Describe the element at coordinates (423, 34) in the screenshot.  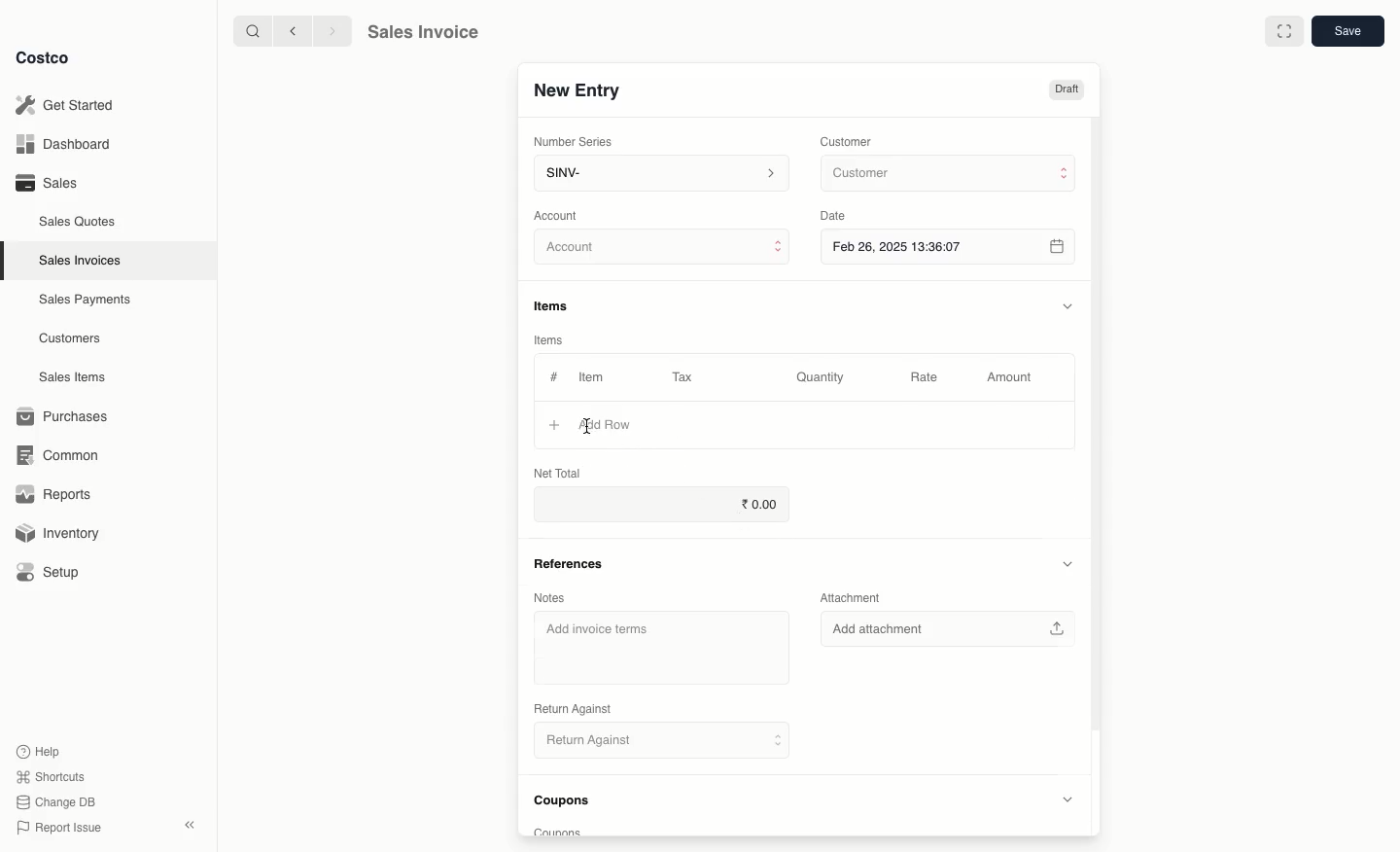
I see `Sales Invoice` at that location.